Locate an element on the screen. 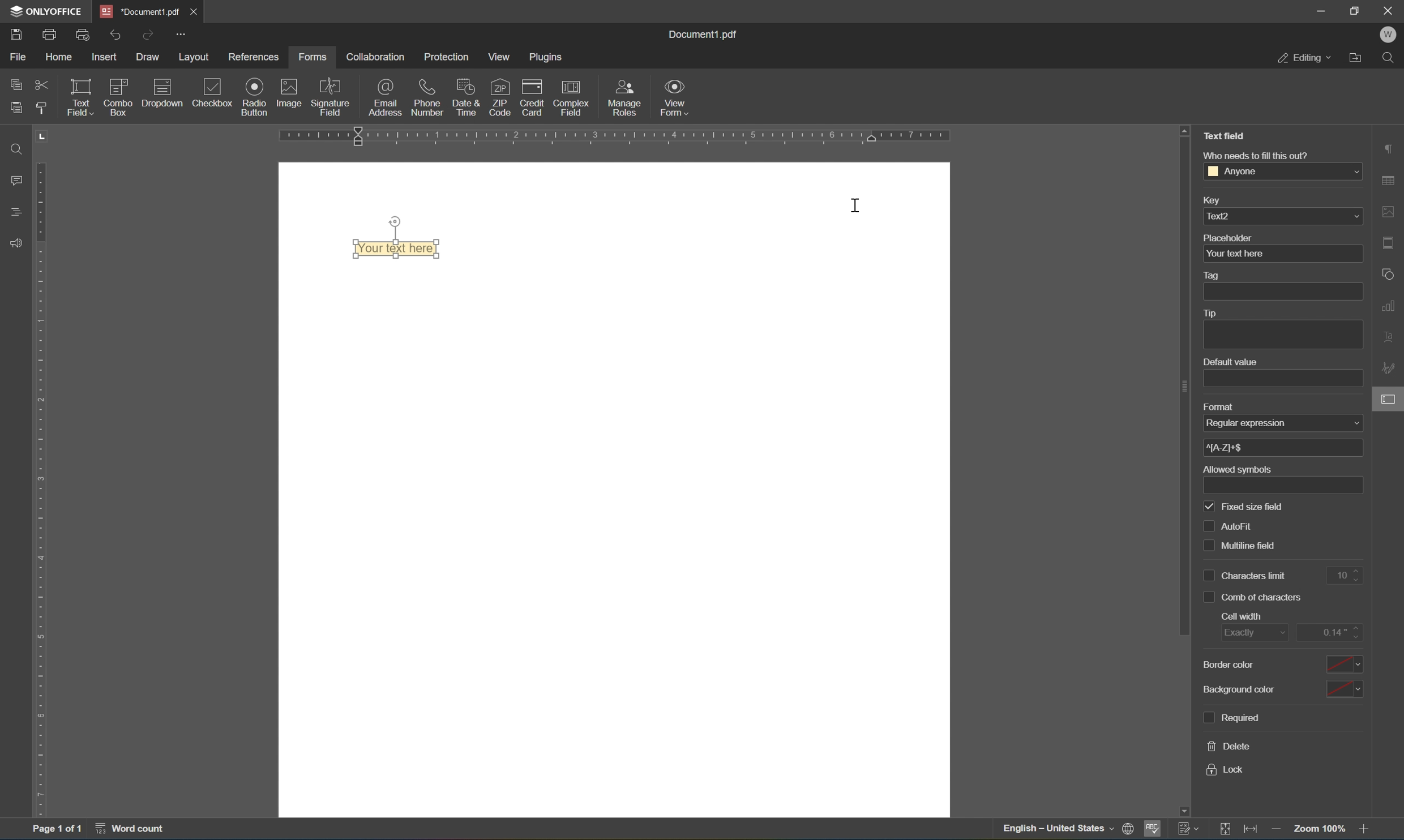 This screenshot has width=1404, height=840. characters limit is located at coordinates (1242, 576).